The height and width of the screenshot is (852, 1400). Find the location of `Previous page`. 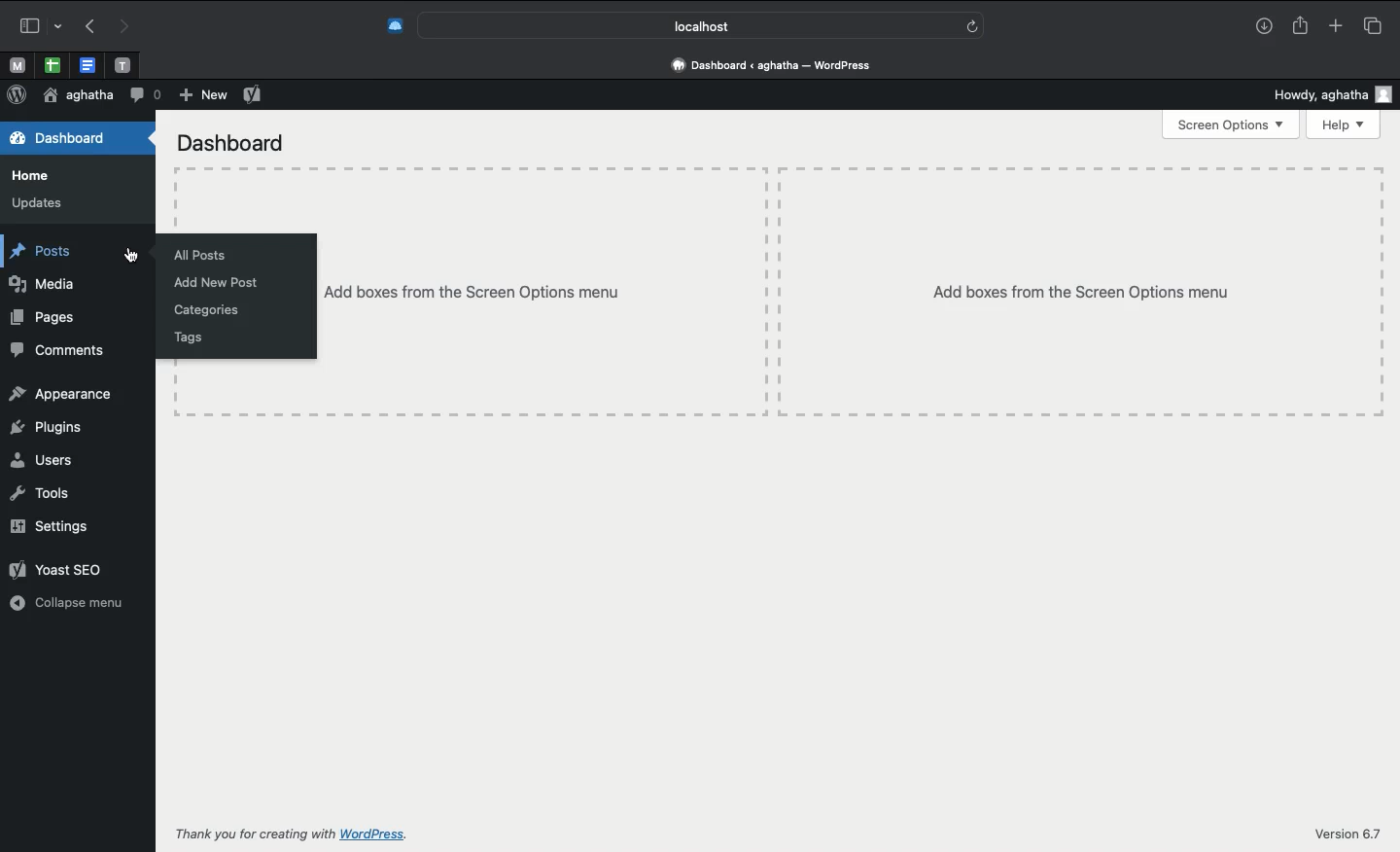

Previous page is located at coordinates (87, 27).